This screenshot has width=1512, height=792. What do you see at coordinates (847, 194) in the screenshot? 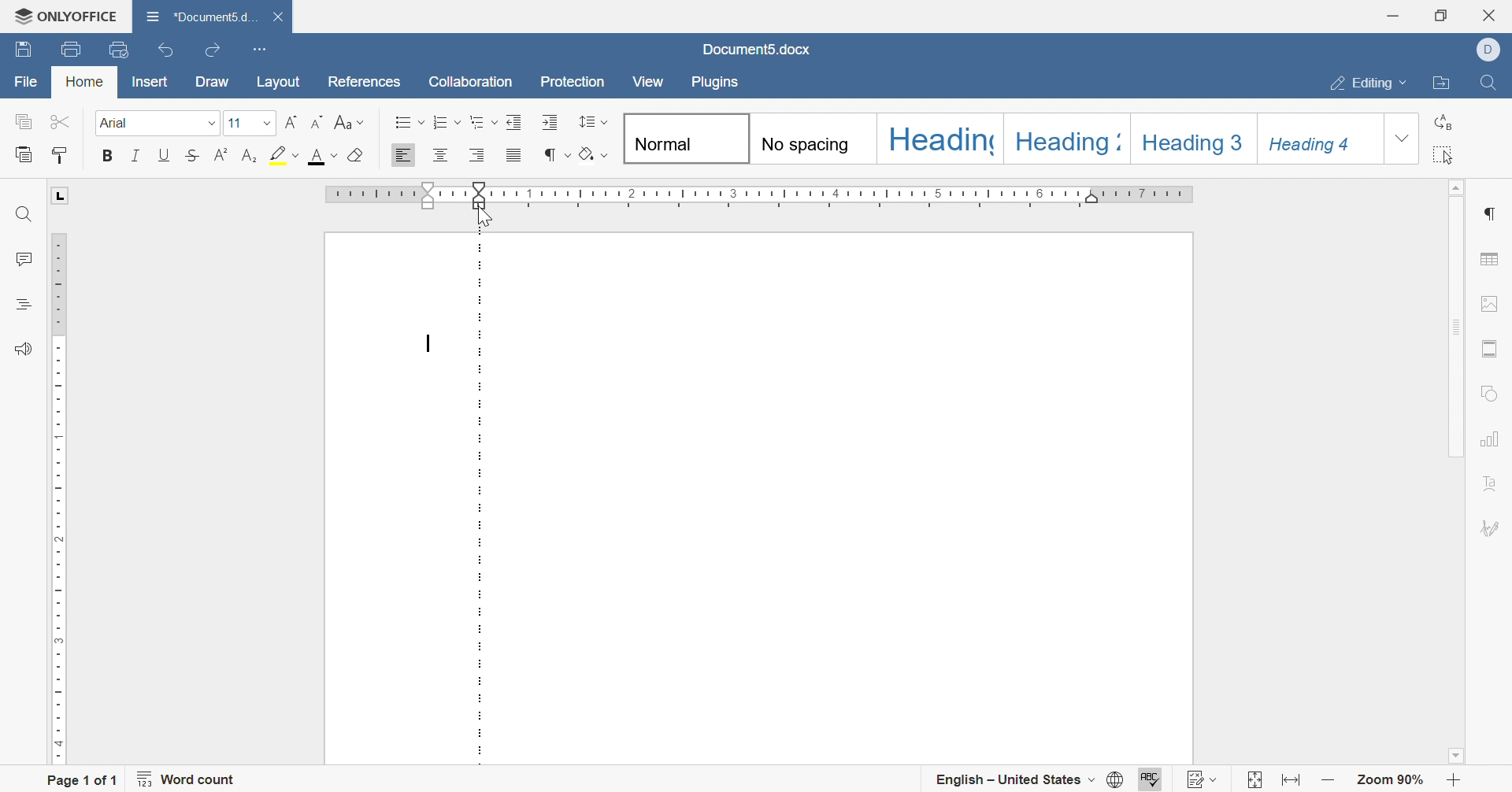
I see `ruler` at bounding box center [847, 194].